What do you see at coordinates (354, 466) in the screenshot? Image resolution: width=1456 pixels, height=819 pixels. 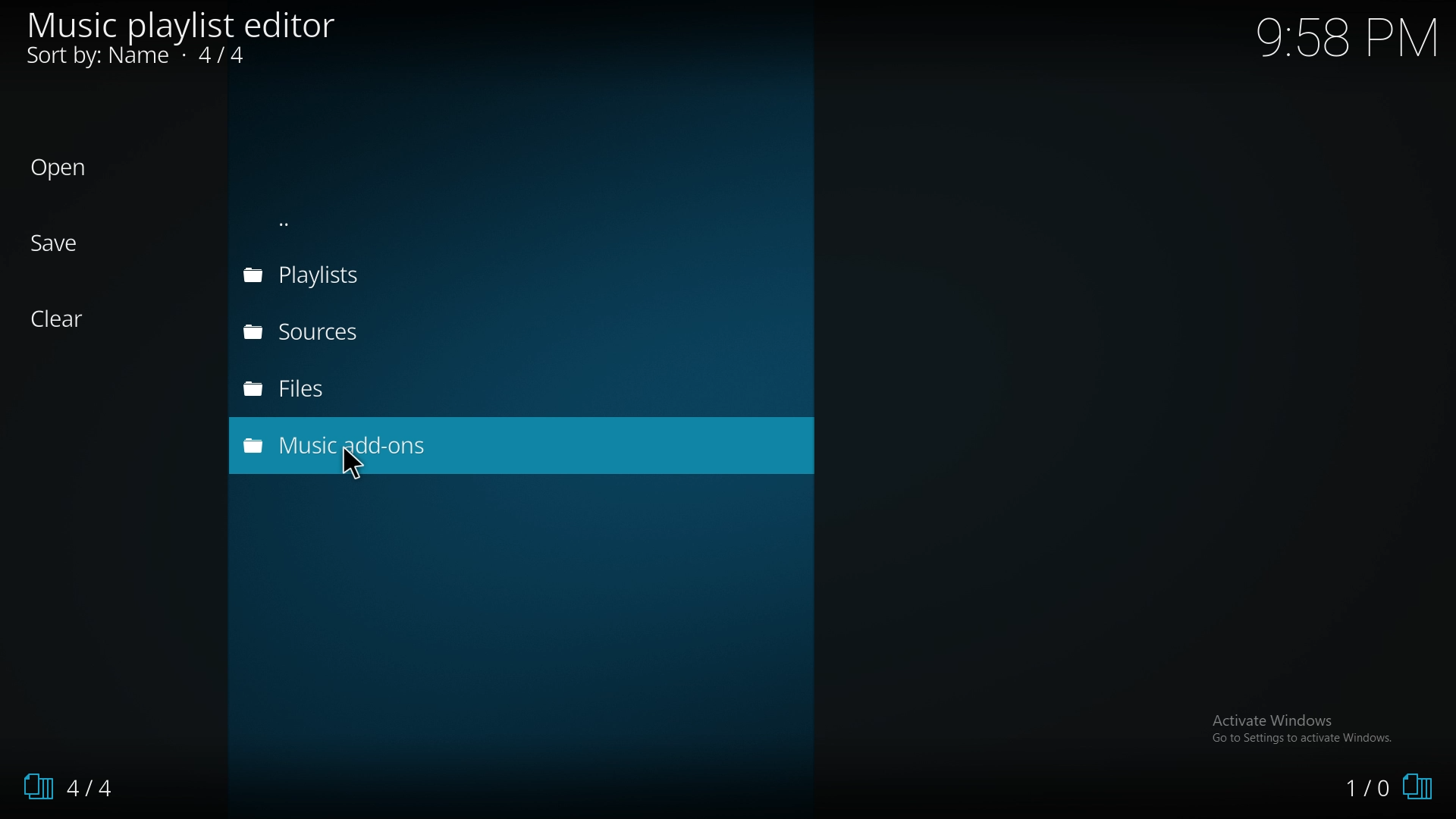 I see `` at bounding box center [354, 466].